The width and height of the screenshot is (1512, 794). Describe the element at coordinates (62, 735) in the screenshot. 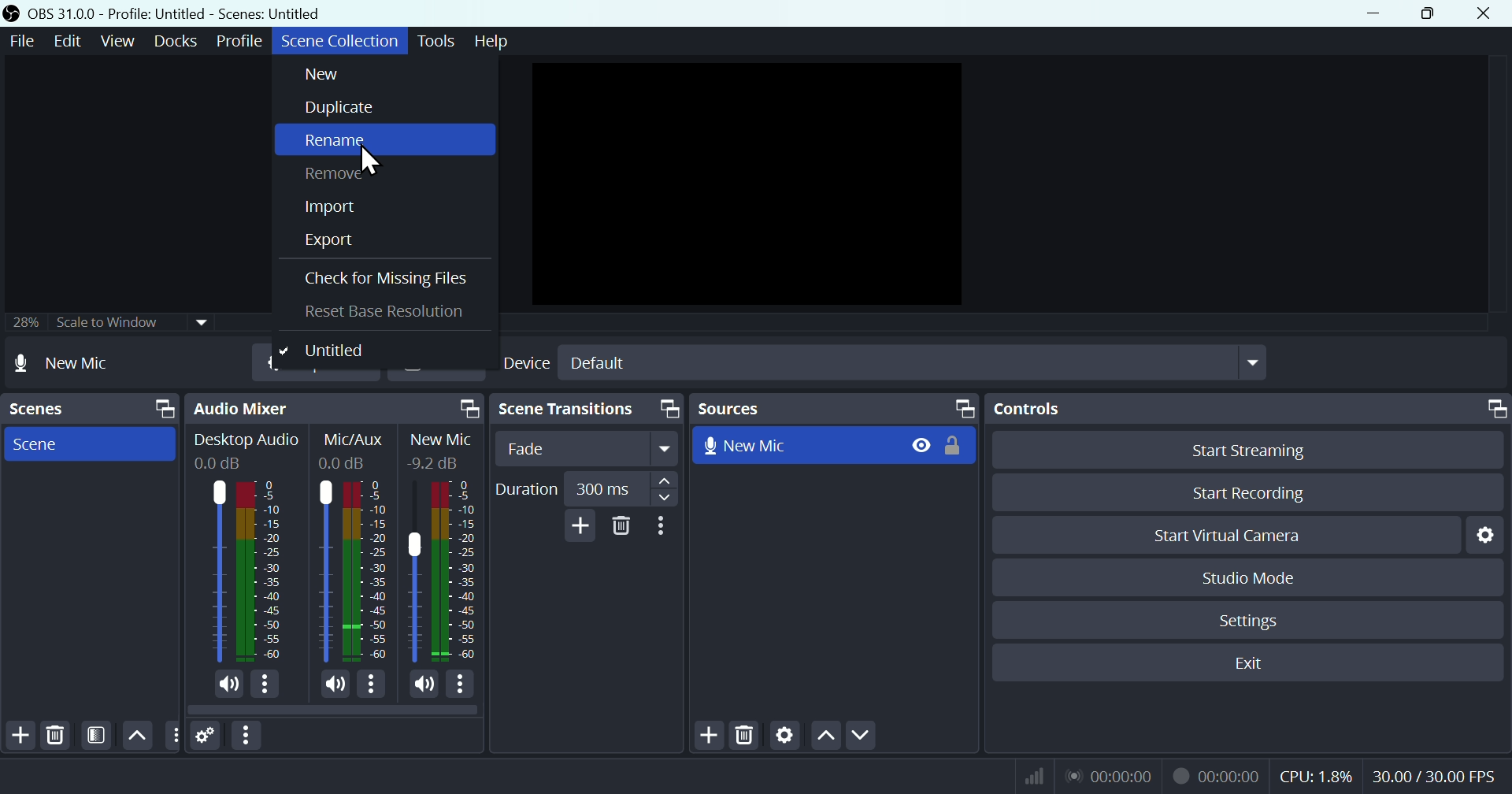

I see `Delete` at that location.